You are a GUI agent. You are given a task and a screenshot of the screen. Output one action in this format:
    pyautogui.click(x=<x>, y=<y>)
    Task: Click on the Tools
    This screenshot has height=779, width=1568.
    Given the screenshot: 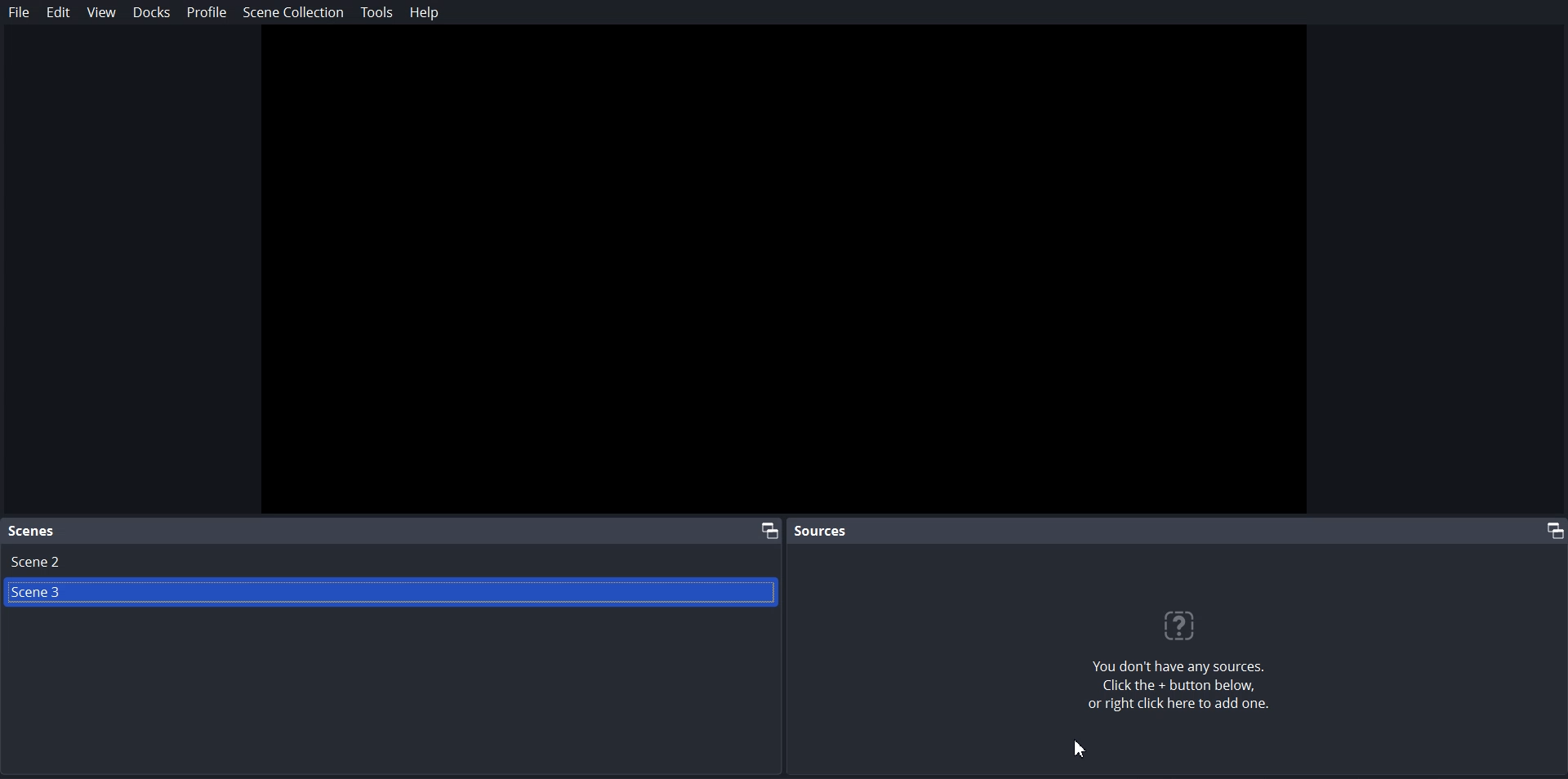 What is the action you would take?
    pyautogui.click(x=376, y=12)
    